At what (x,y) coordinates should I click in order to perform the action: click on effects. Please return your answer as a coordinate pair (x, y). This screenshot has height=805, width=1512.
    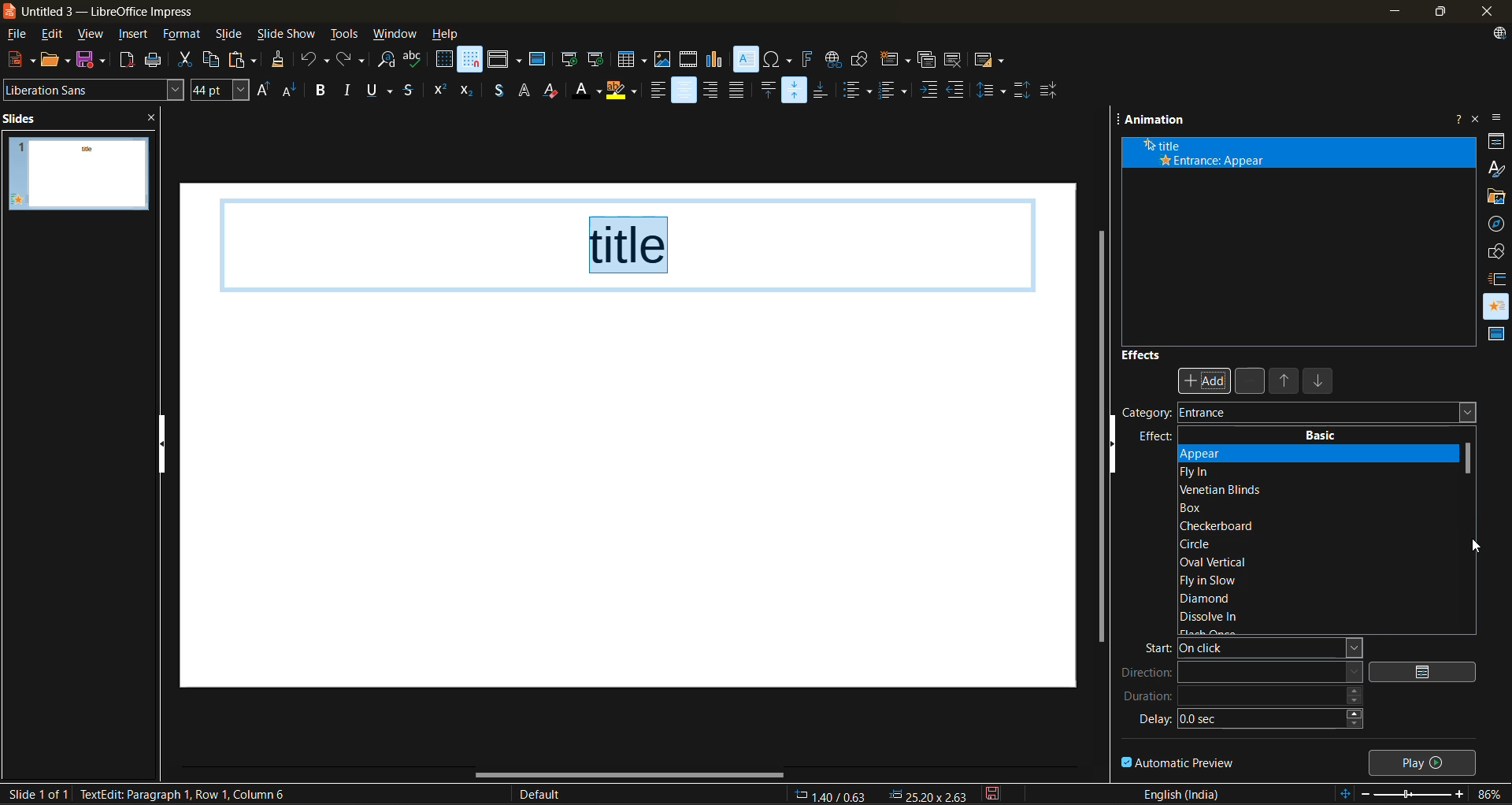
    Looking at the image, I should click on (1142, 354).